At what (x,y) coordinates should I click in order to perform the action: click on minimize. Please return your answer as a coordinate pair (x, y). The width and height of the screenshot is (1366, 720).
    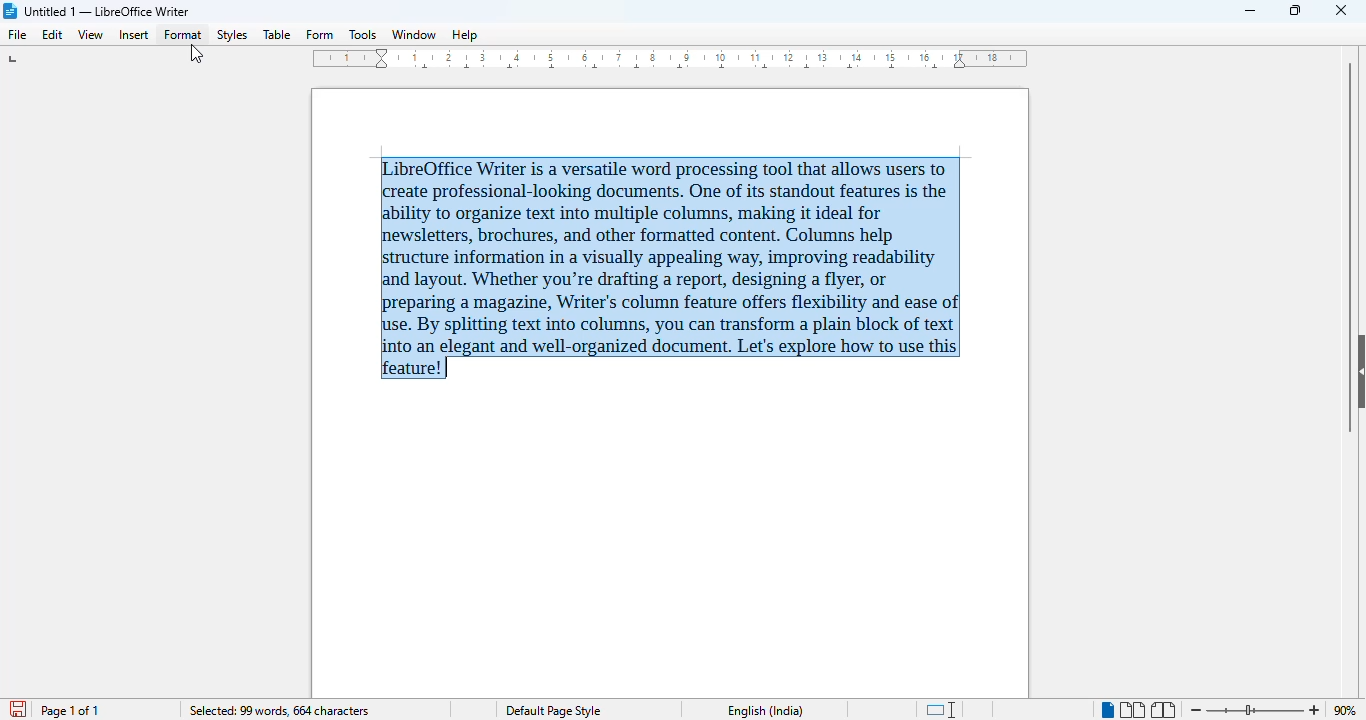
    Looking at the image, I should click on (1252, 11).